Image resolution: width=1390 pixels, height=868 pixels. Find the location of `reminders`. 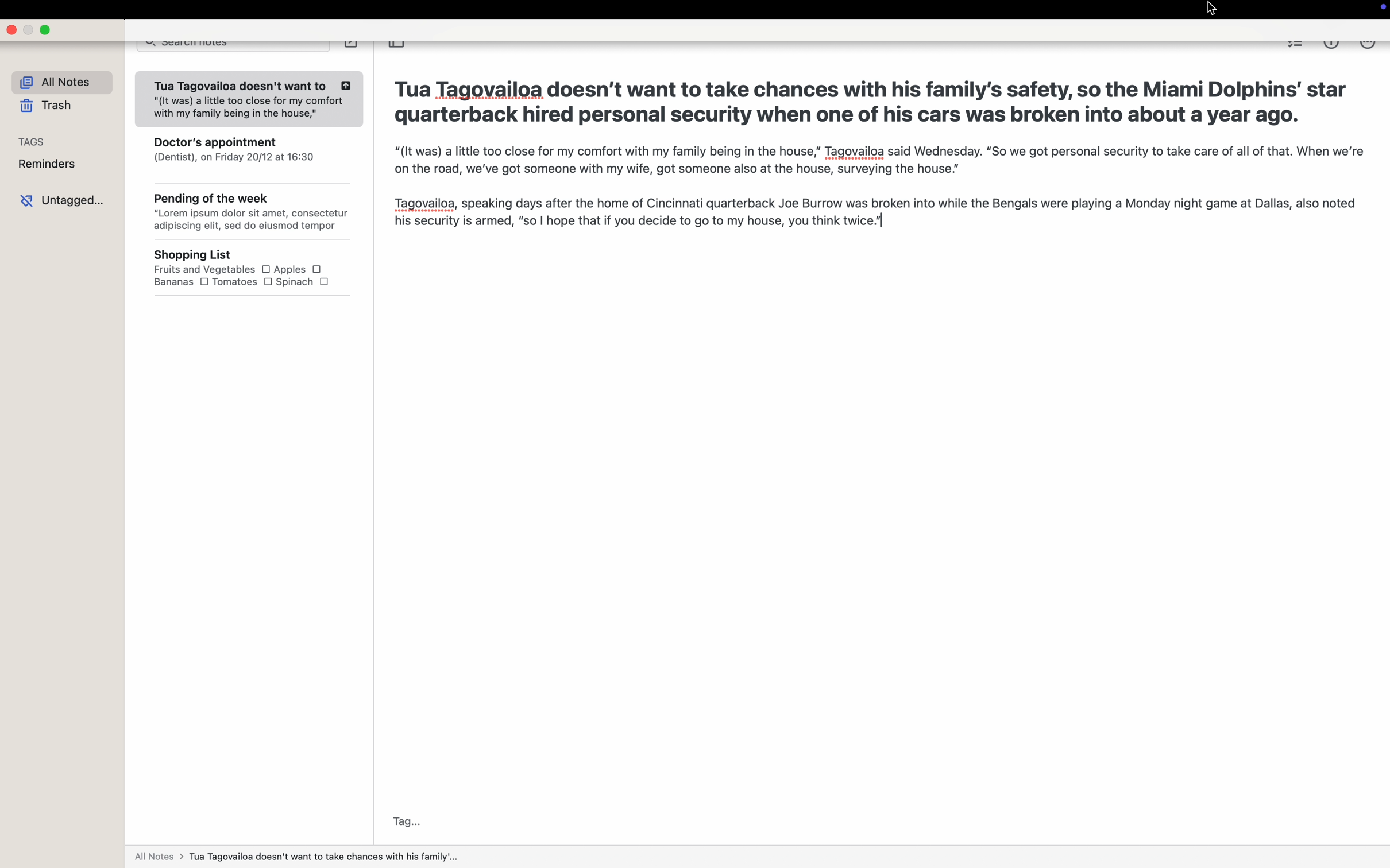

reminders is located at coordinates (43, 165).